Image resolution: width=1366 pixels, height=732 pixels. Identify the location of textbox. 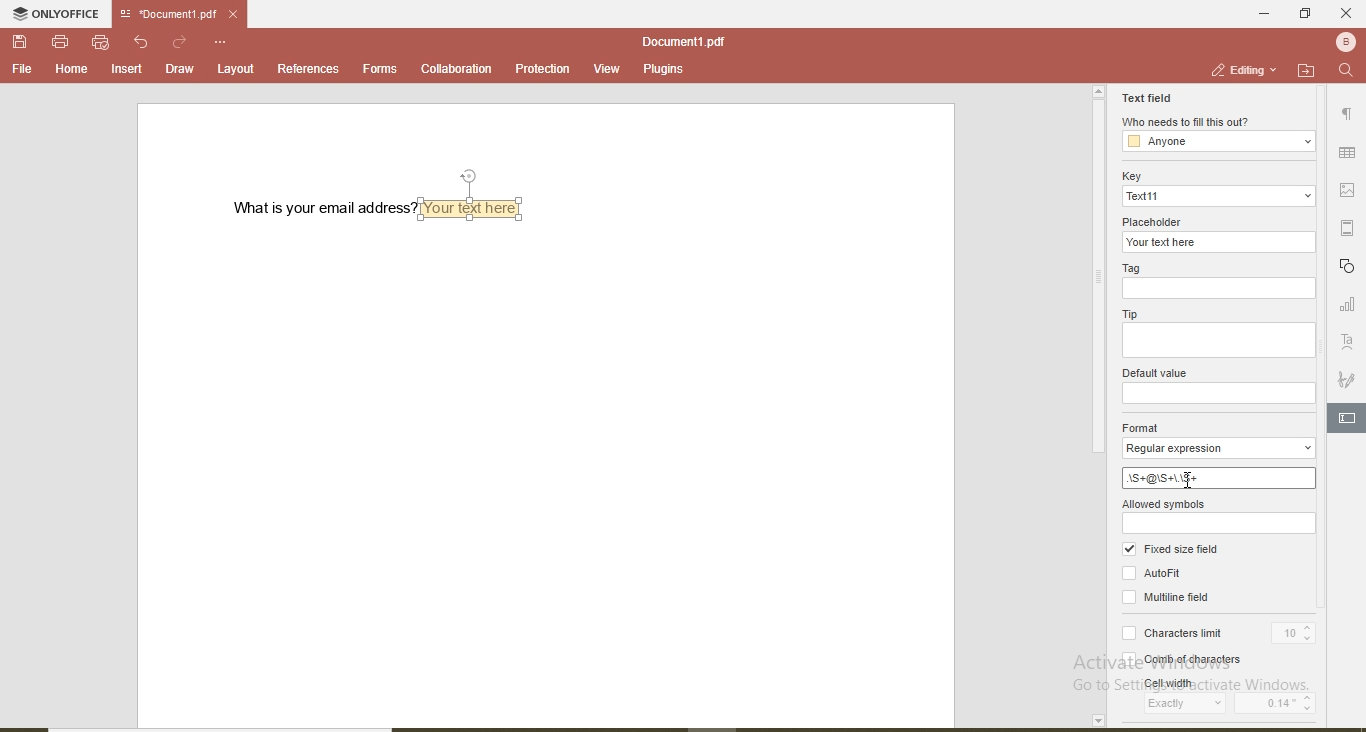
(476, 207).